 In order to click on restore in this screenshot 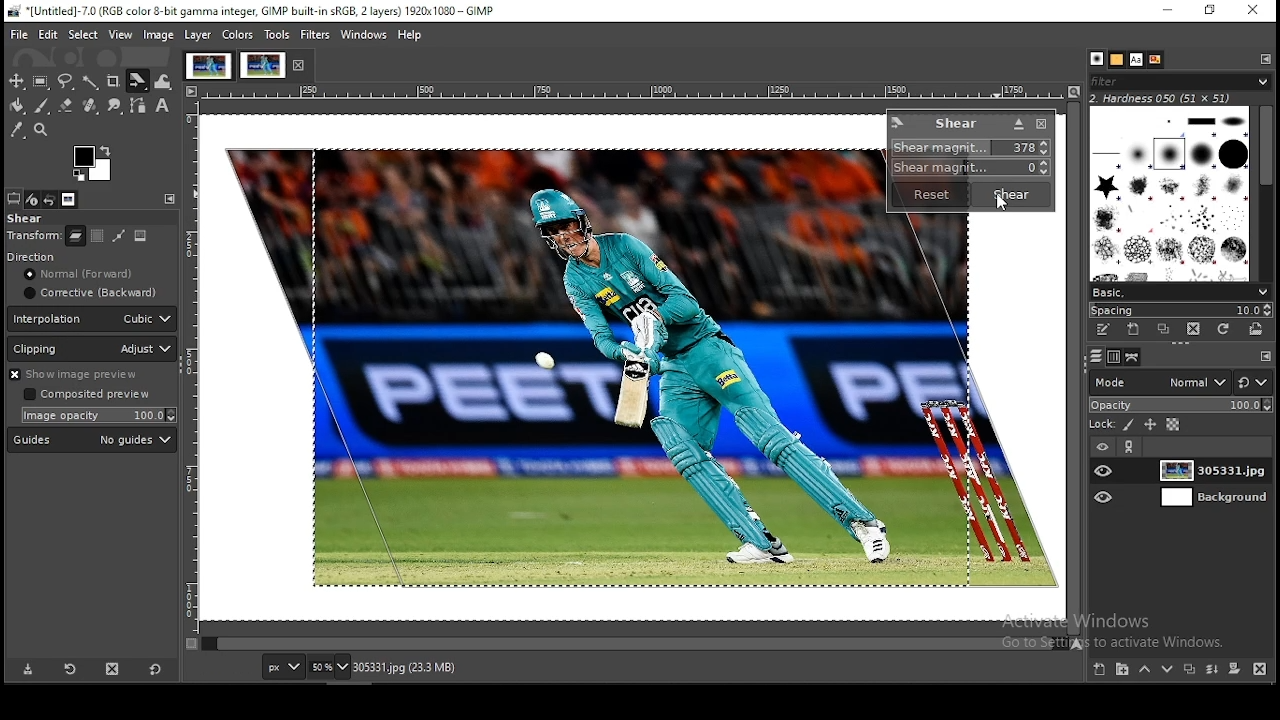, I will do `click(1211, 12)`.